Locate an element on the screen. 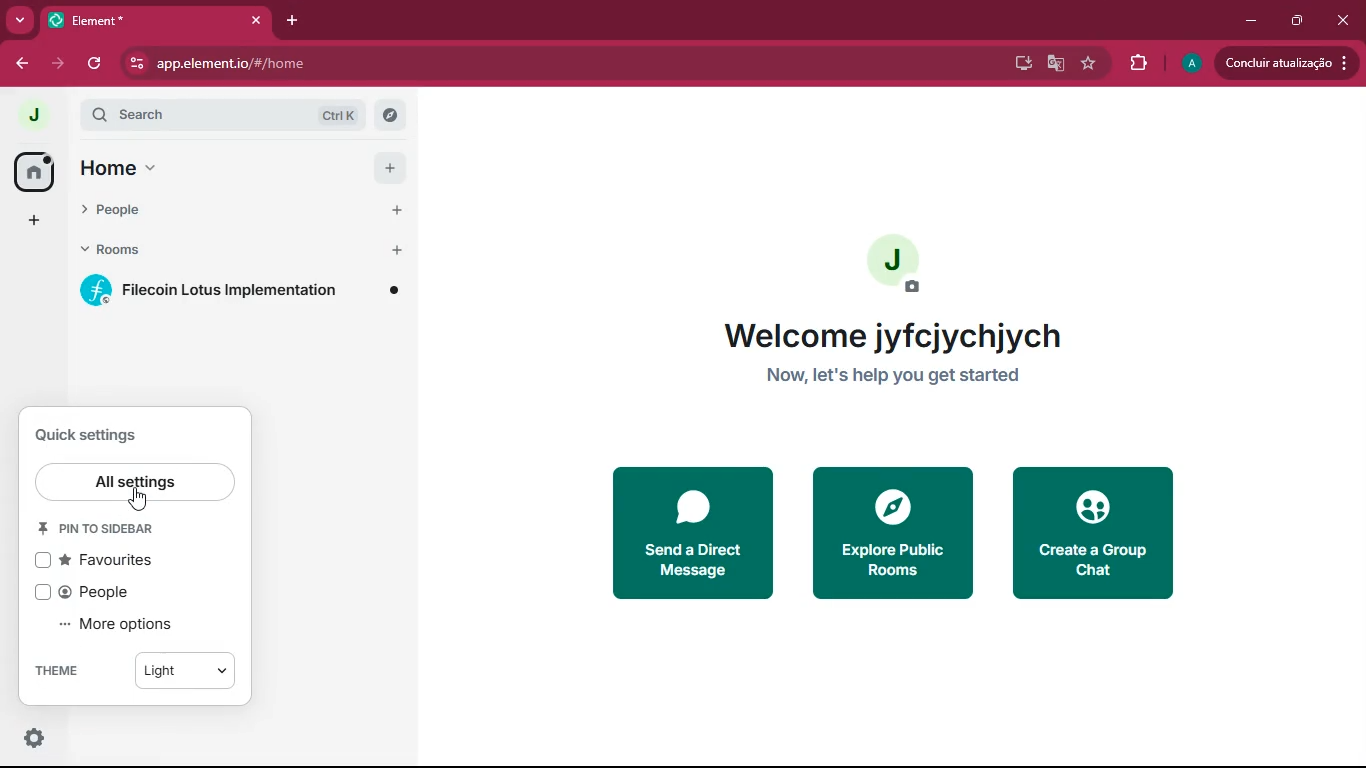 The width and height of the screenshot is (1366, 768). forward is located at coordinates (56, 63).